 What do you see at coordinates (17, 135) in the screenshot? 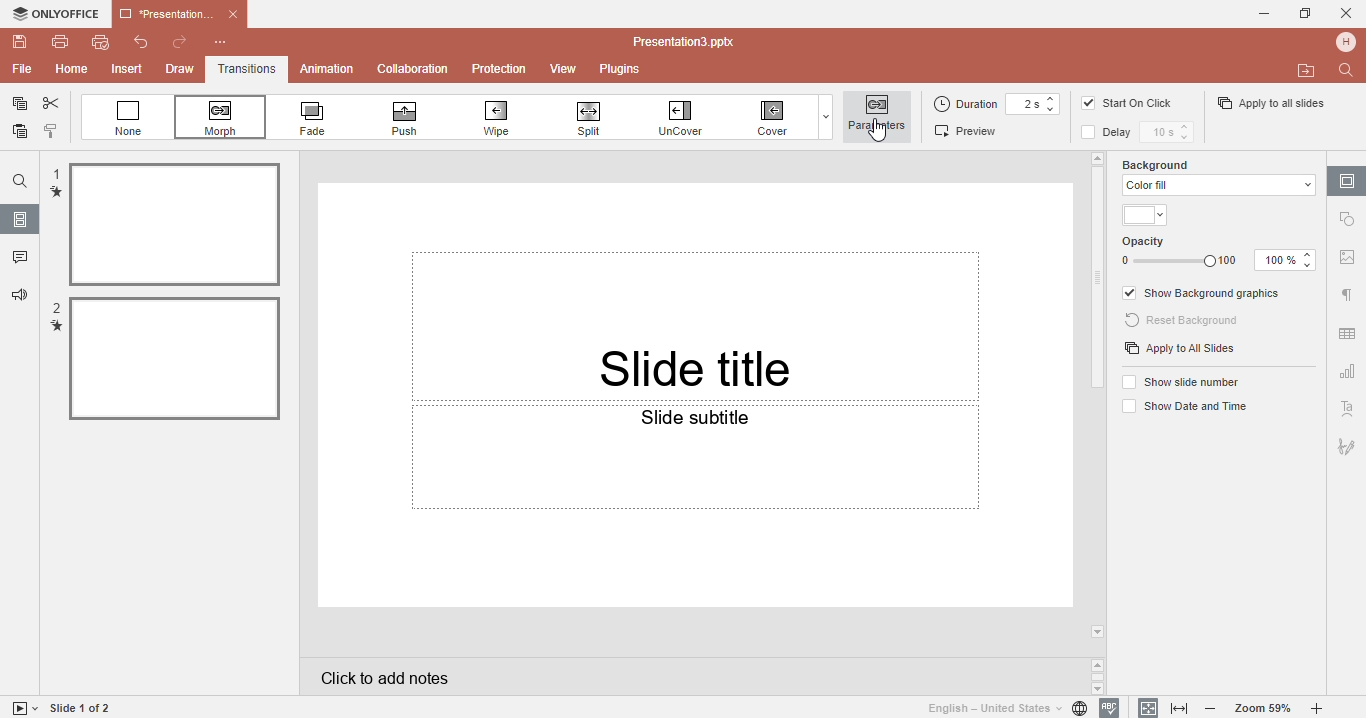
I see `Paste` at bounding box center [17, 135].